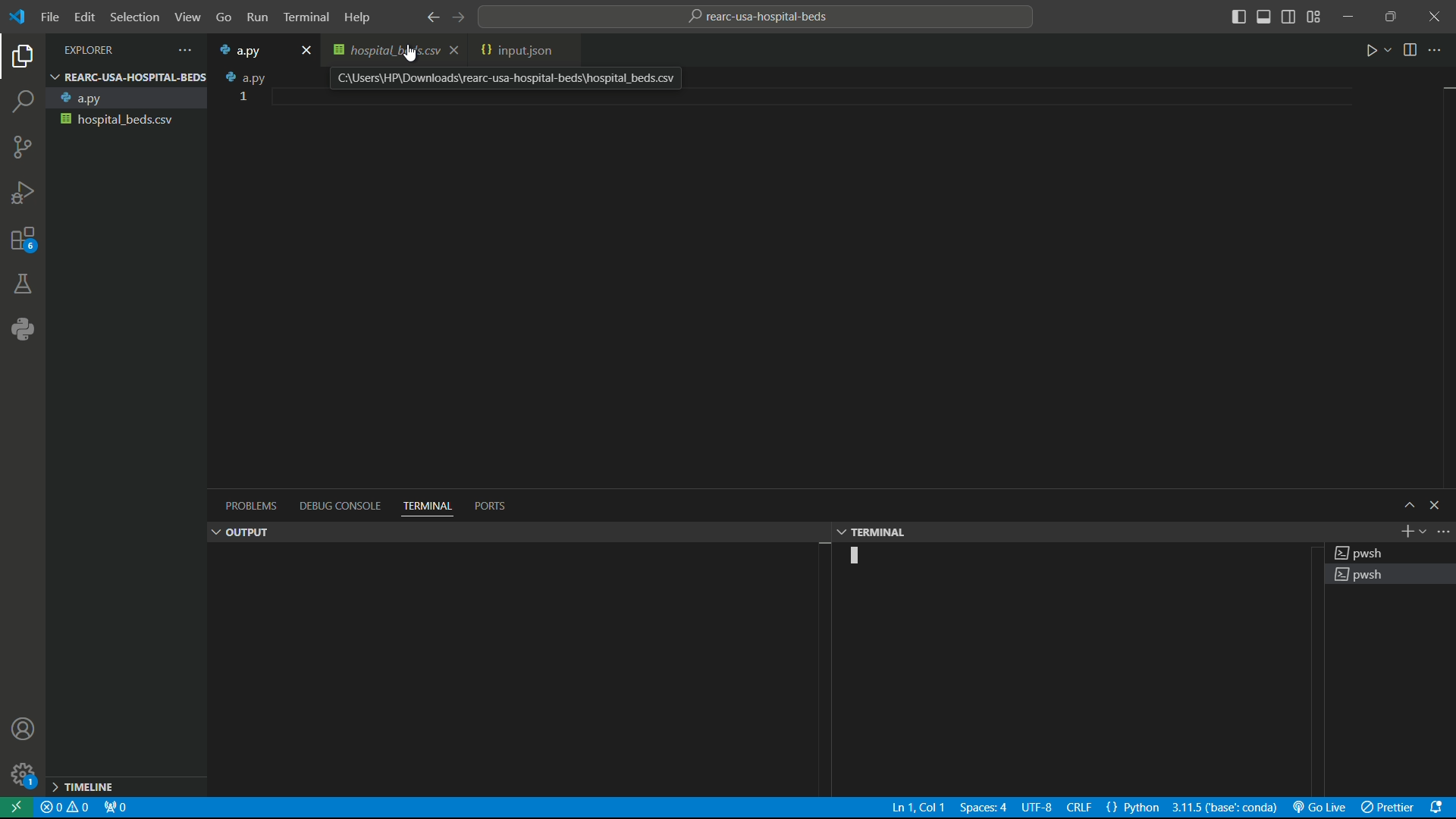 The image size is (1456, 819). What do you see at coordinates (24, 328) in the screenshot?
I see `python` at bounding box center [24, 328].